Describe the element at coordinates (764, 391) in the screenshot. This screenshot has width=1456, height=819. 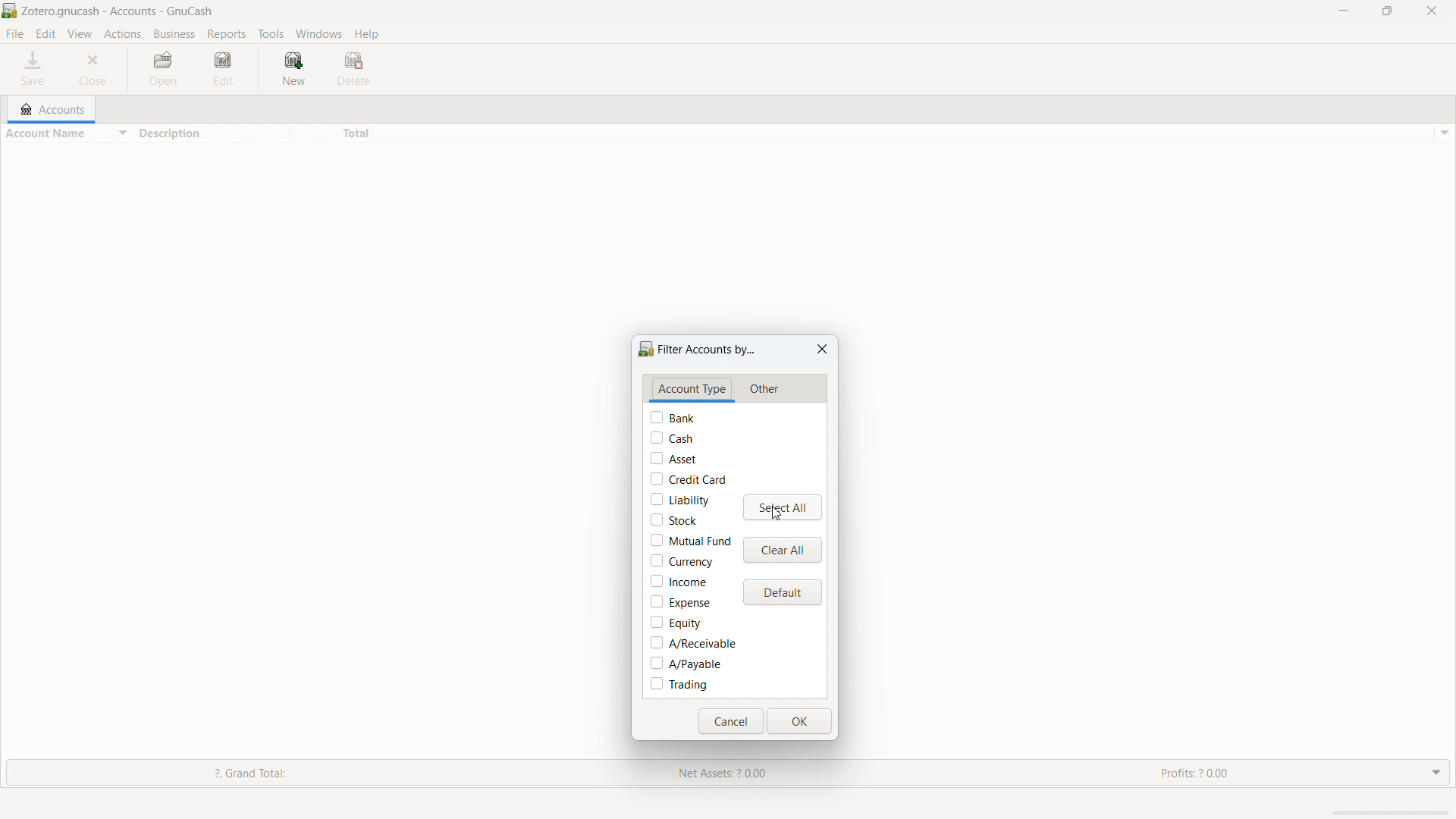
I see `other` at that location.